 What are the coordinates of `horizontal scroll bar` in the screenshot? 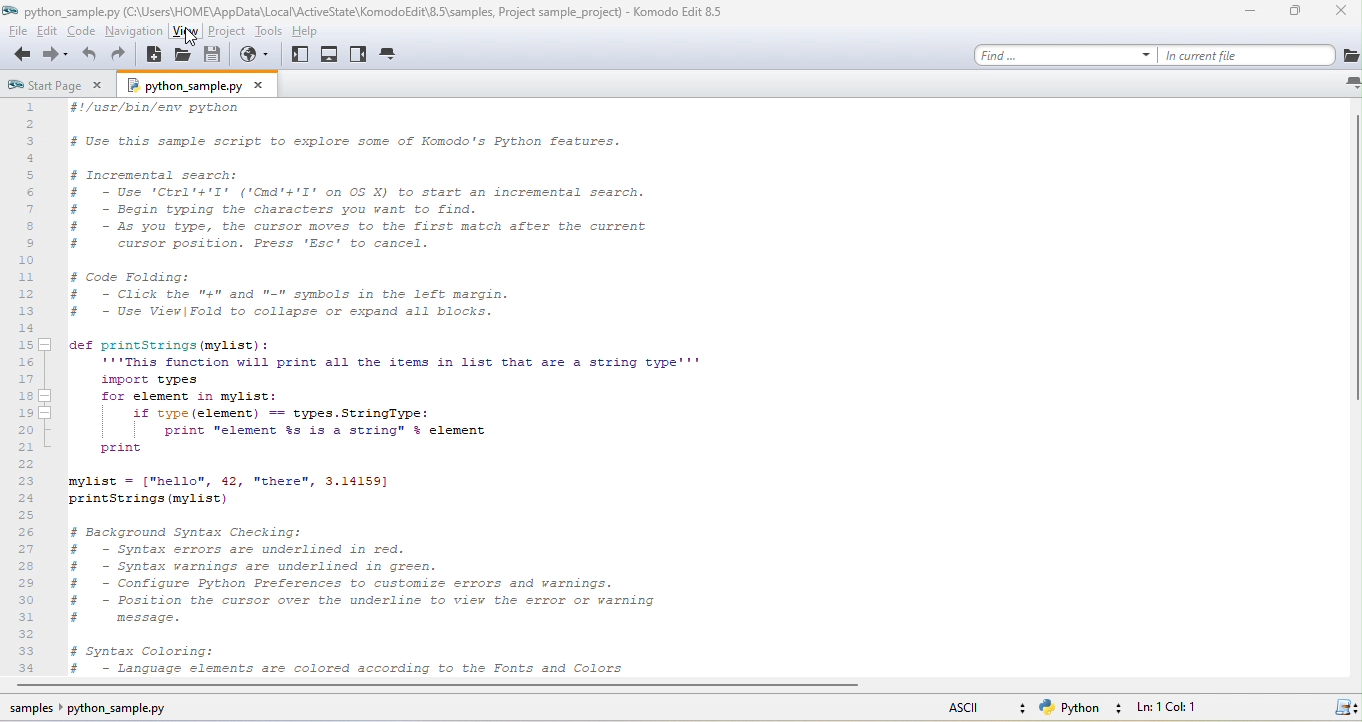 It's located at (446, 687).